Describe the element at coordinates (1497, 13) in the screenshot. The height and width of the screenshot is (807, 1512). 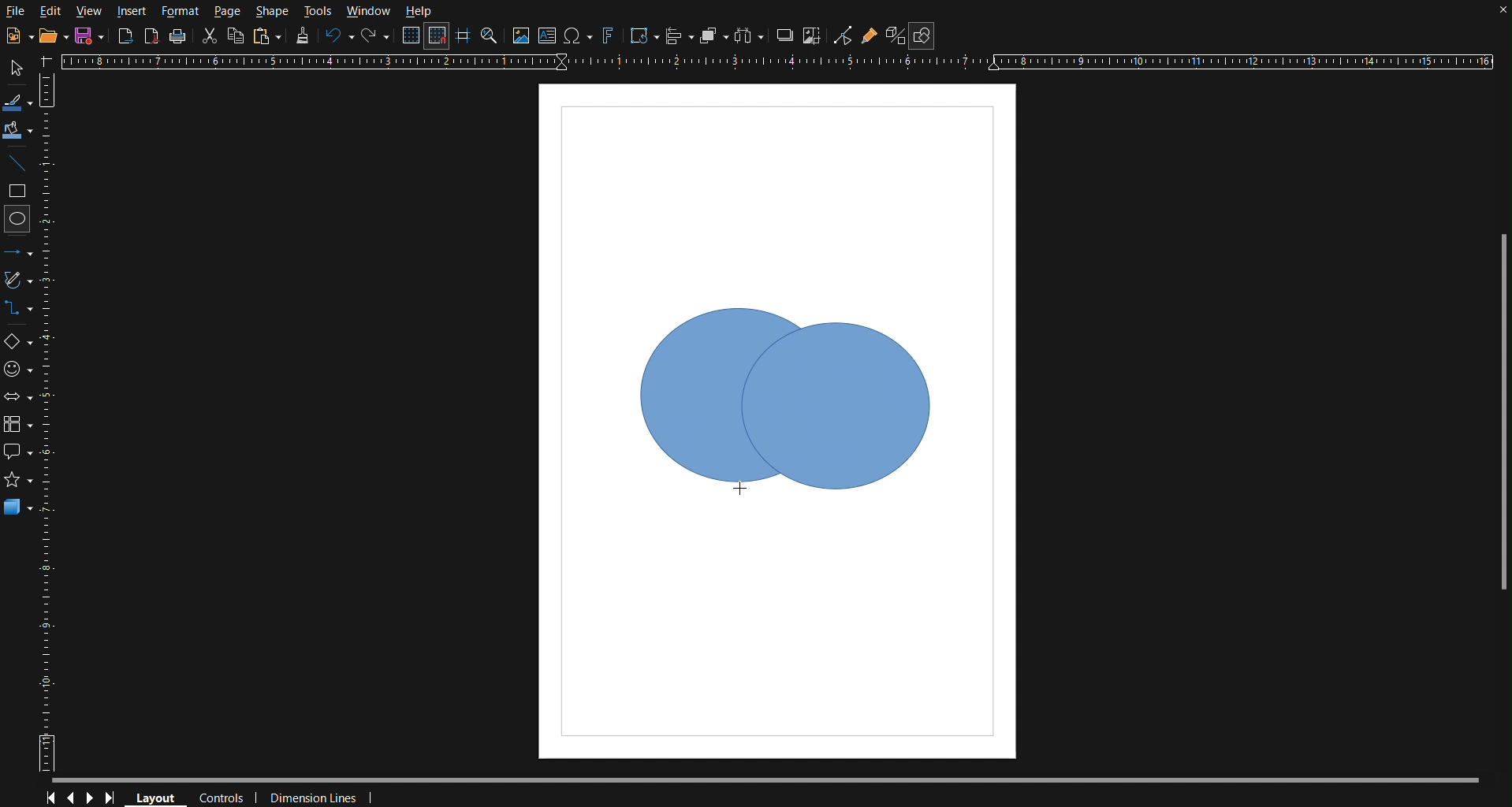
I see `close` at that location.